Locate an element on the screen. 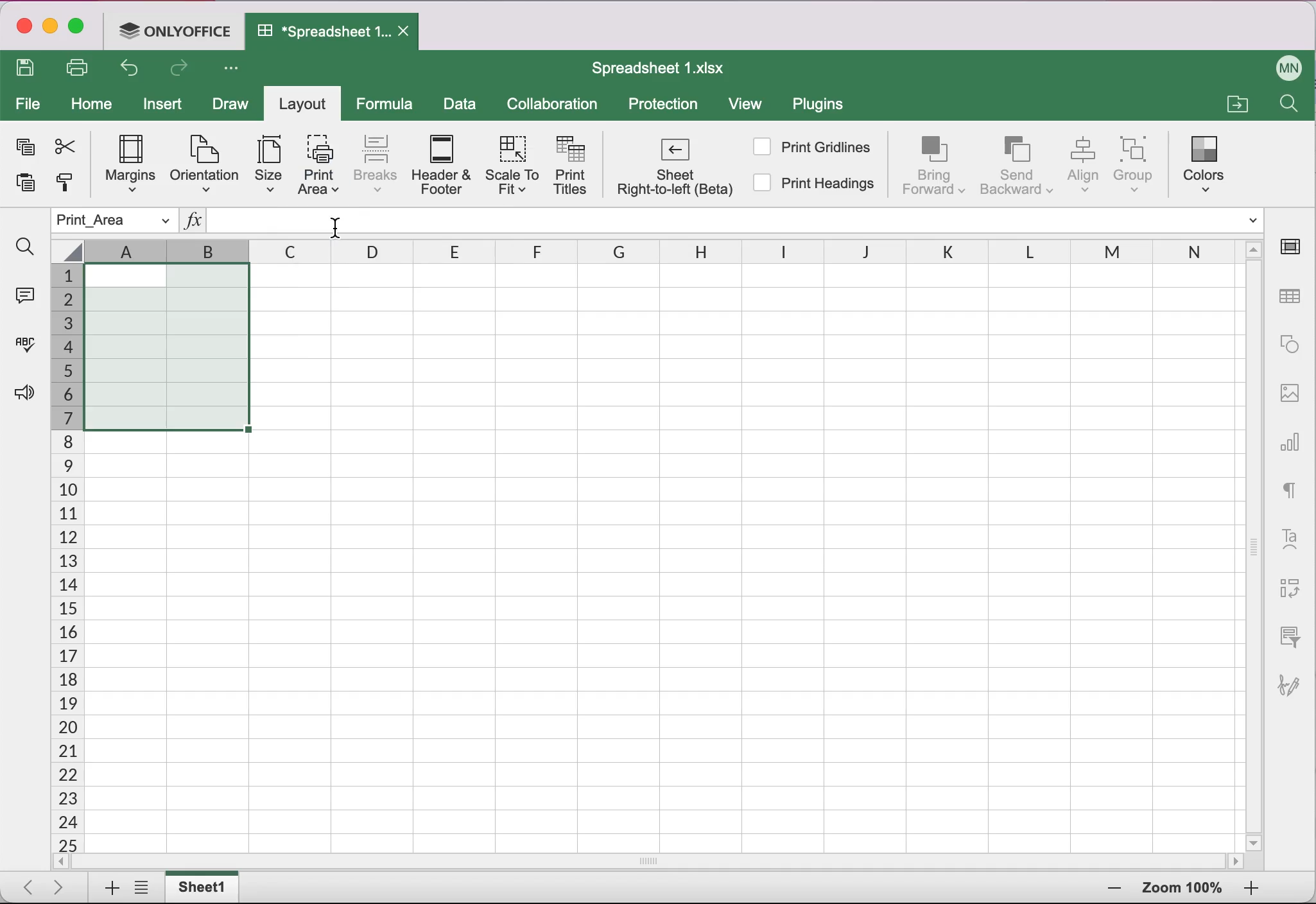 The width and height of the screenshot is (1316, 904). columns is located at coordinates (664, 250).